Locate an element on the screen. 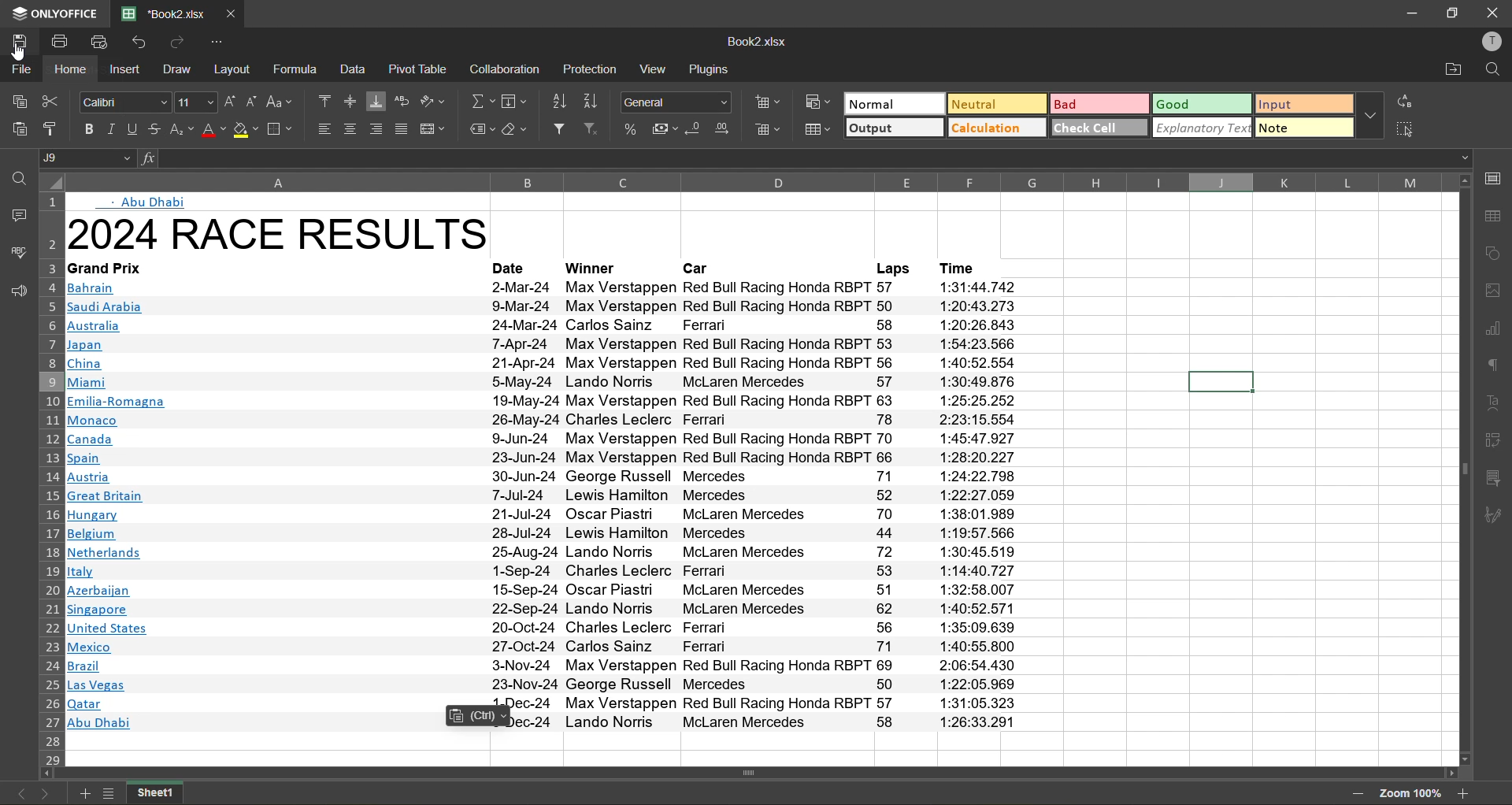 The width and height of the screenshot is (1512, 805). pivot table is located at coordinates (421, 69).